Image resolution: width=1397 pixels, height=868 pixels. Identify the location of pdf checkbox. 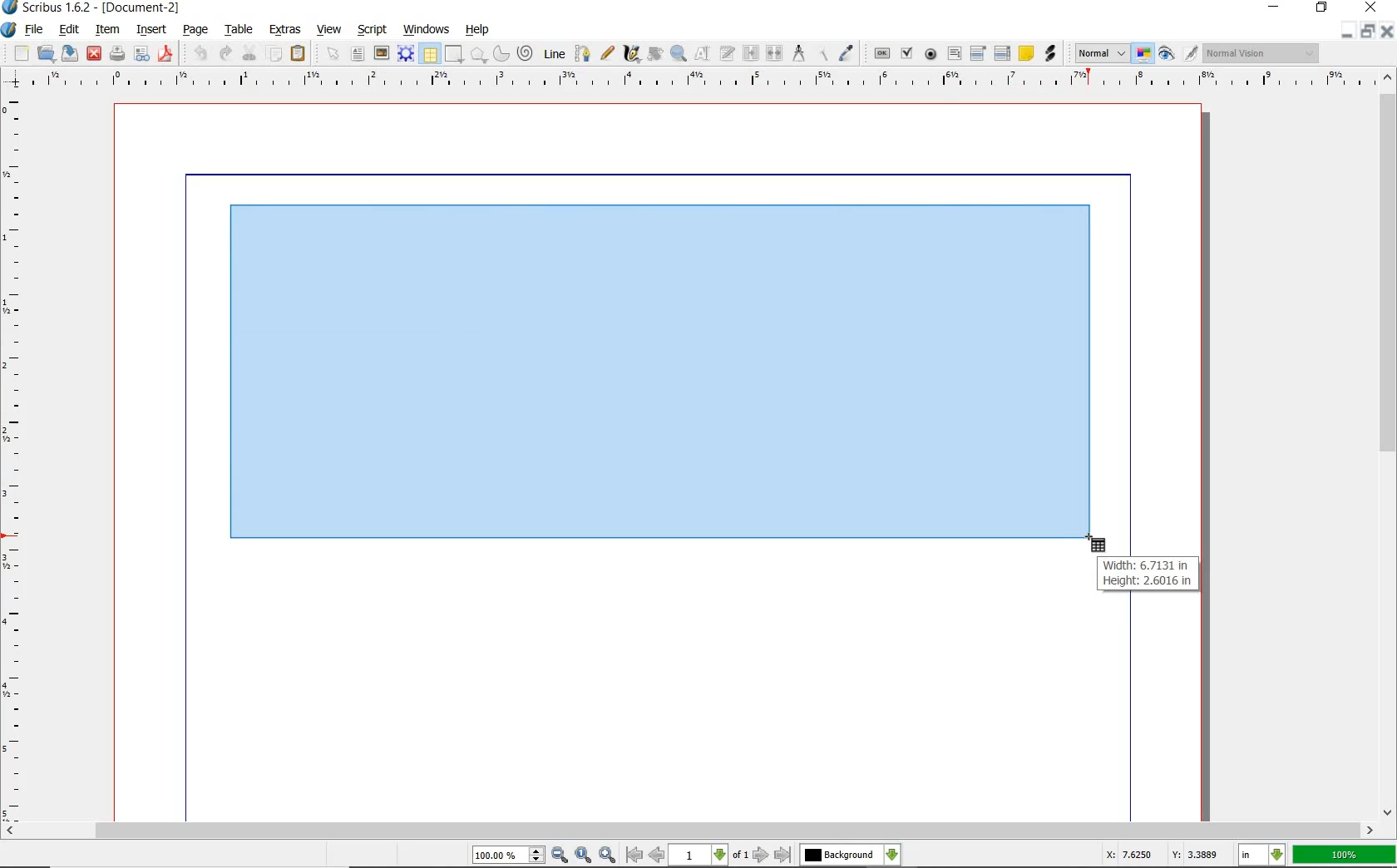
(905, 53).